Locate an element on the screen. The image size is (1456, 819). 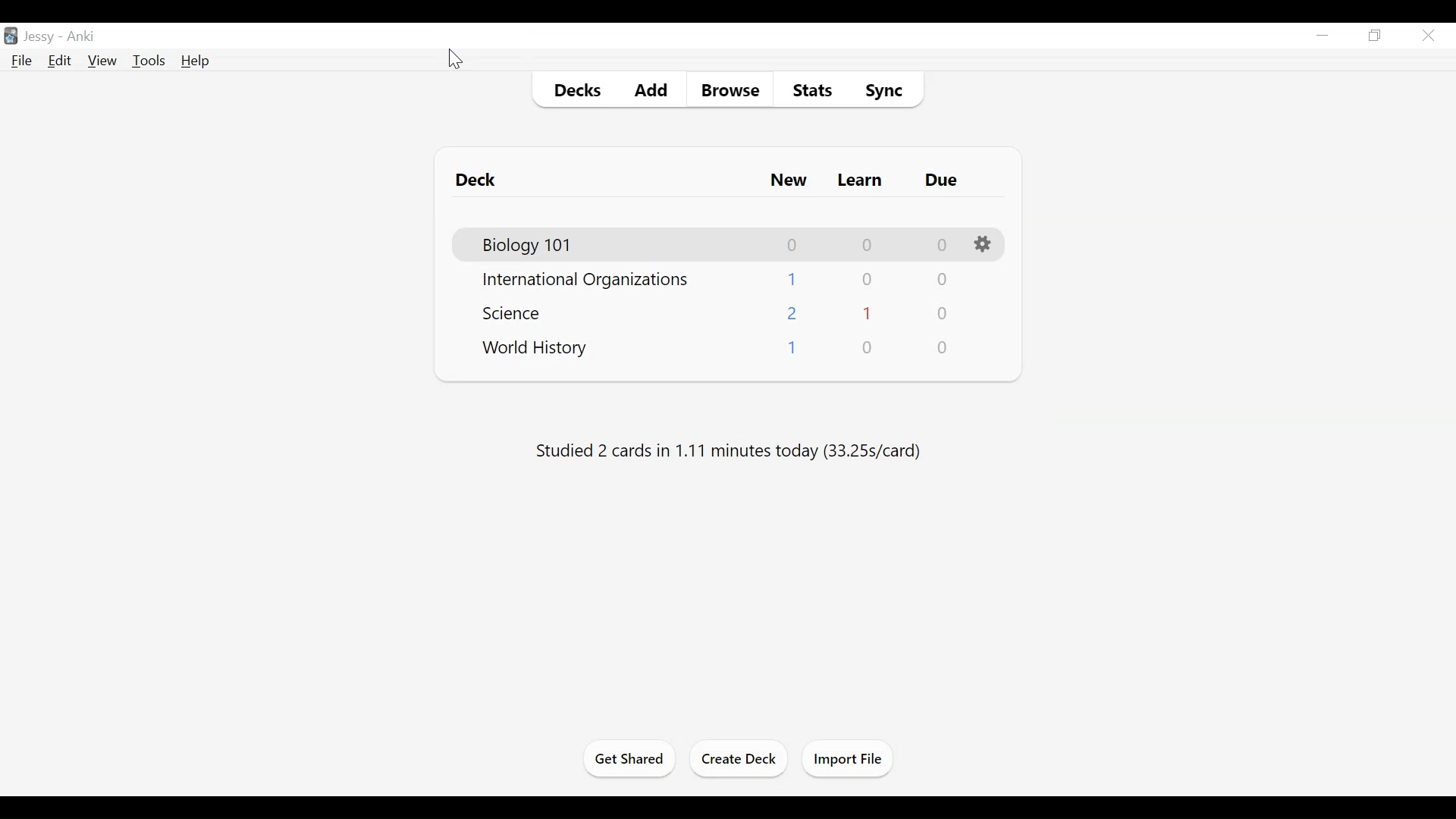
New Cards Count is located at coordinates (789, 347).